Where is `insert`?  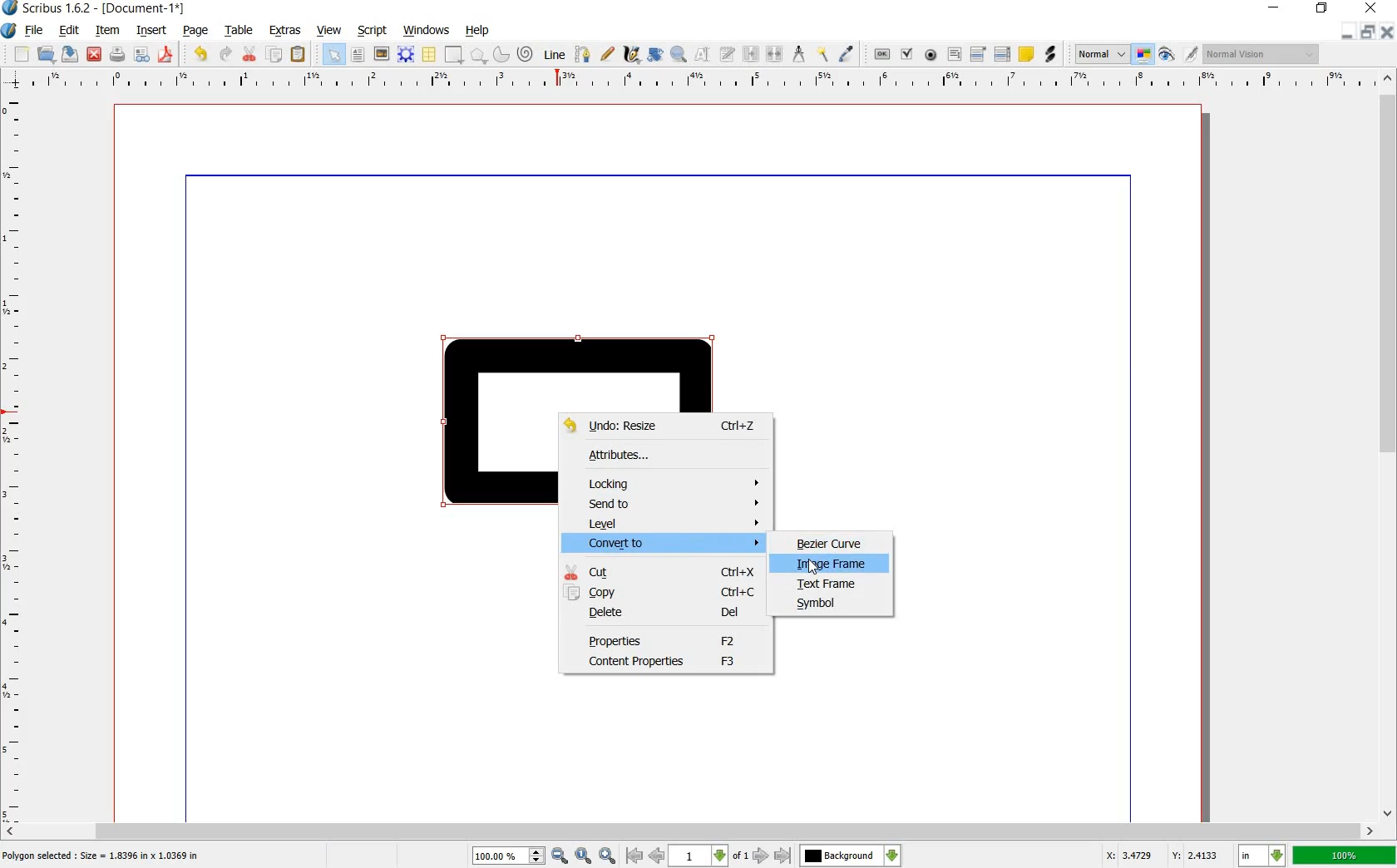
insert is located at coordinates (152, 32).